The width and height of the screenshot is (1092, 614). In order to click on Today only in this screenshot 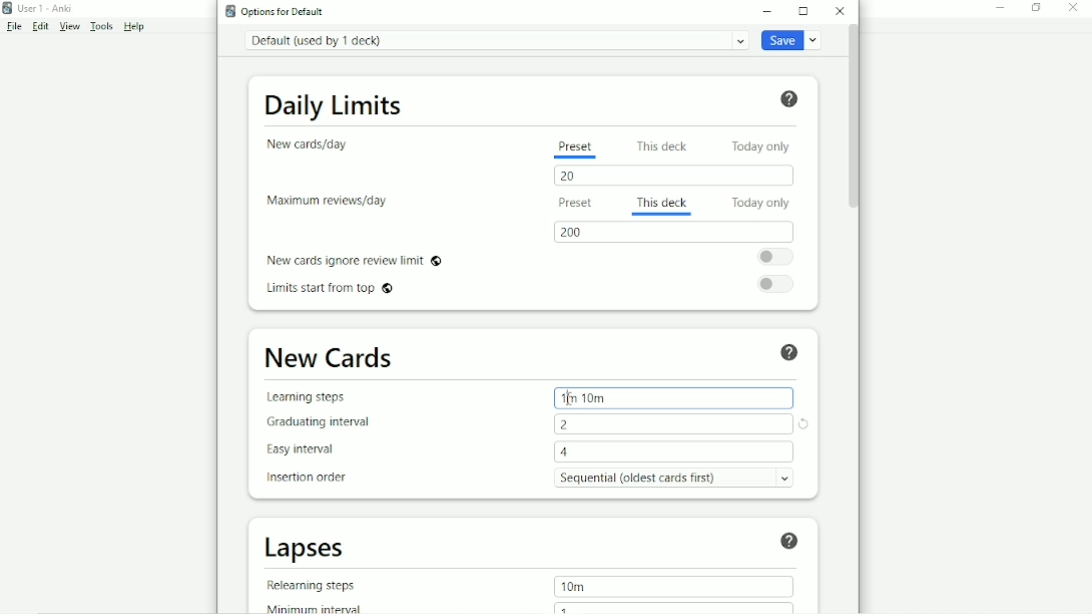, I will do `click(762, 146)`.